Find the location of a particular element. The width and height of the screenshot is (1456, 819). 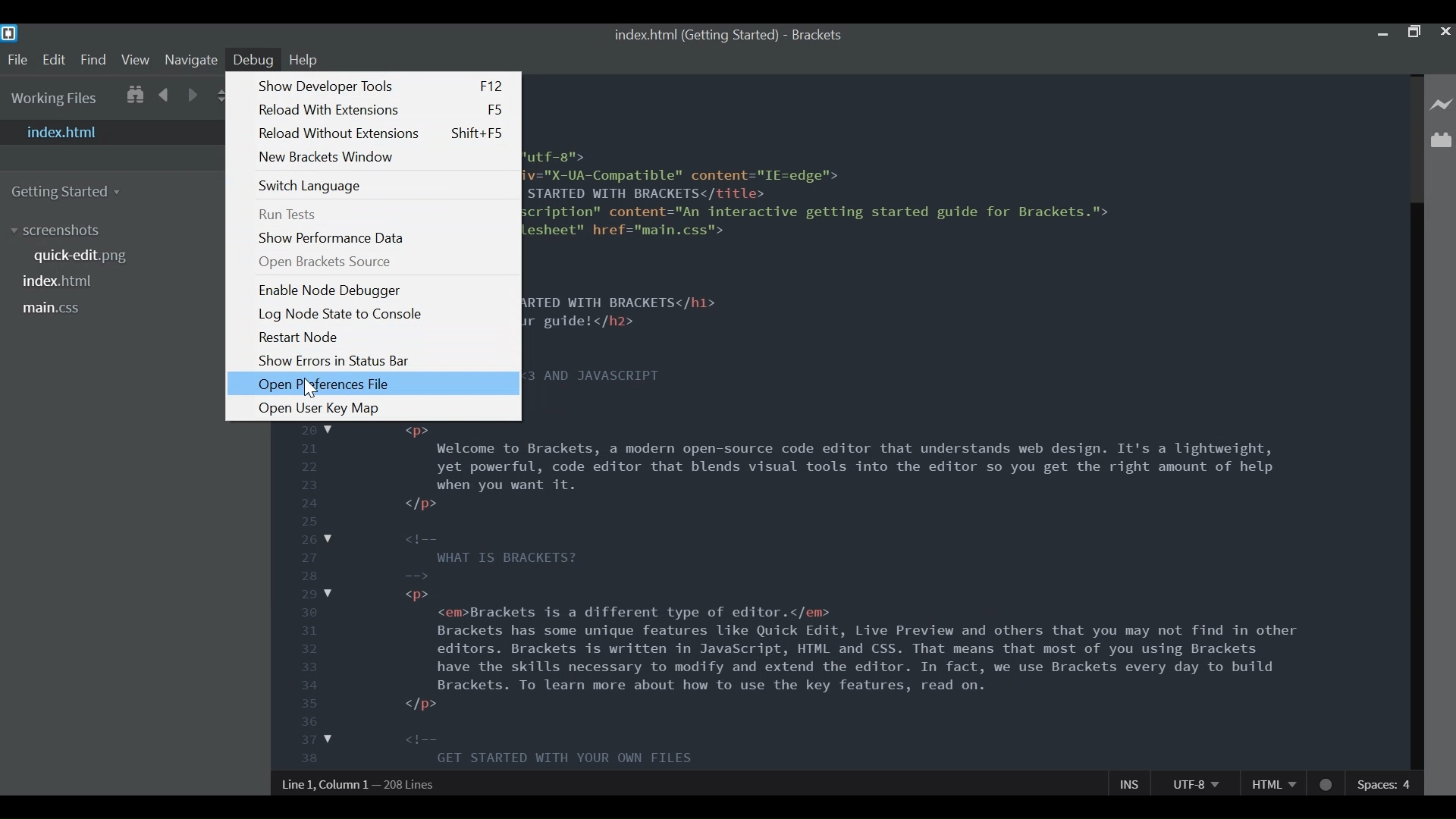

index.html is located at coordinates (112, 132).